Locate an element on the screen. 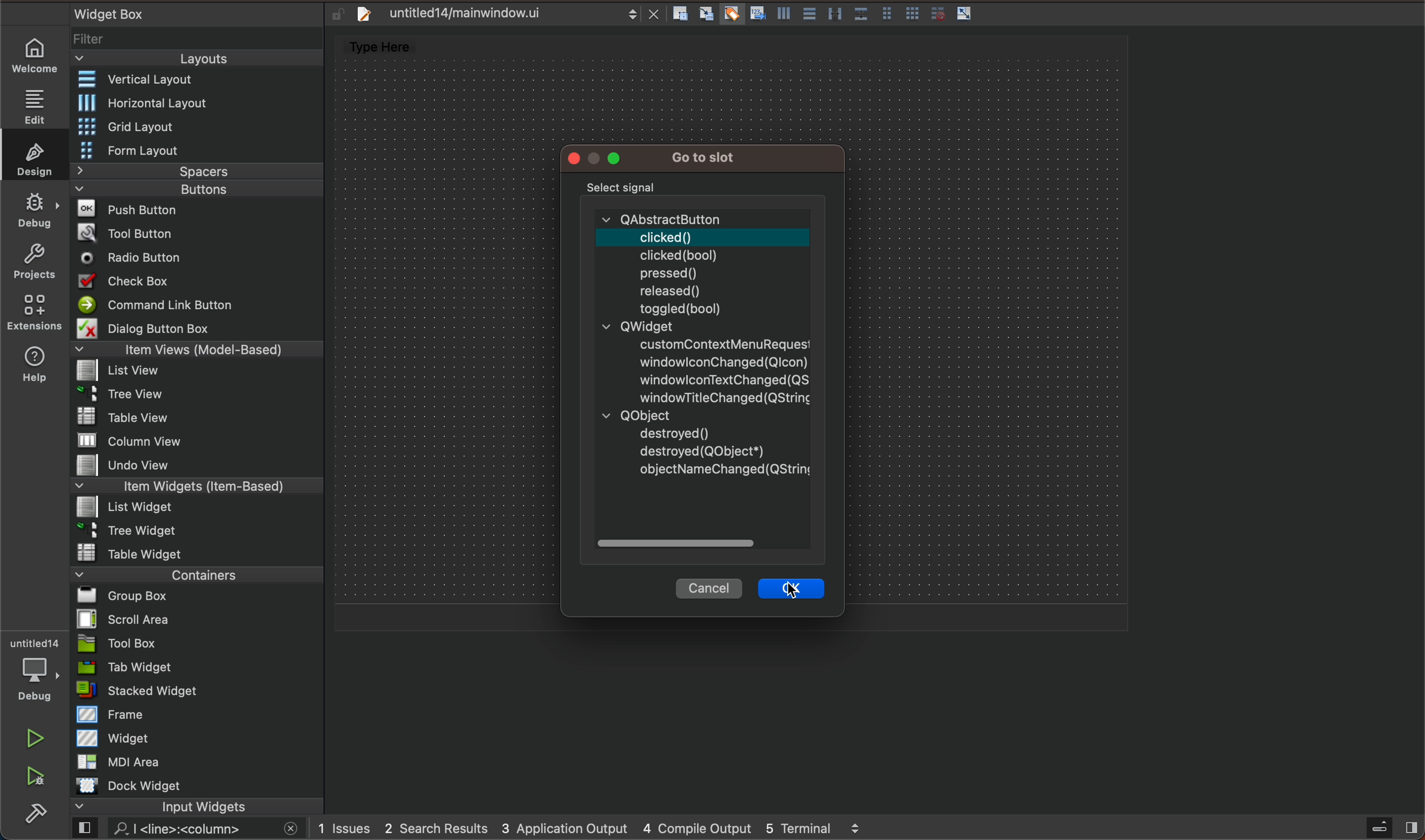 The image size is (1425, 840). group box is located at coordinates (192, 599).